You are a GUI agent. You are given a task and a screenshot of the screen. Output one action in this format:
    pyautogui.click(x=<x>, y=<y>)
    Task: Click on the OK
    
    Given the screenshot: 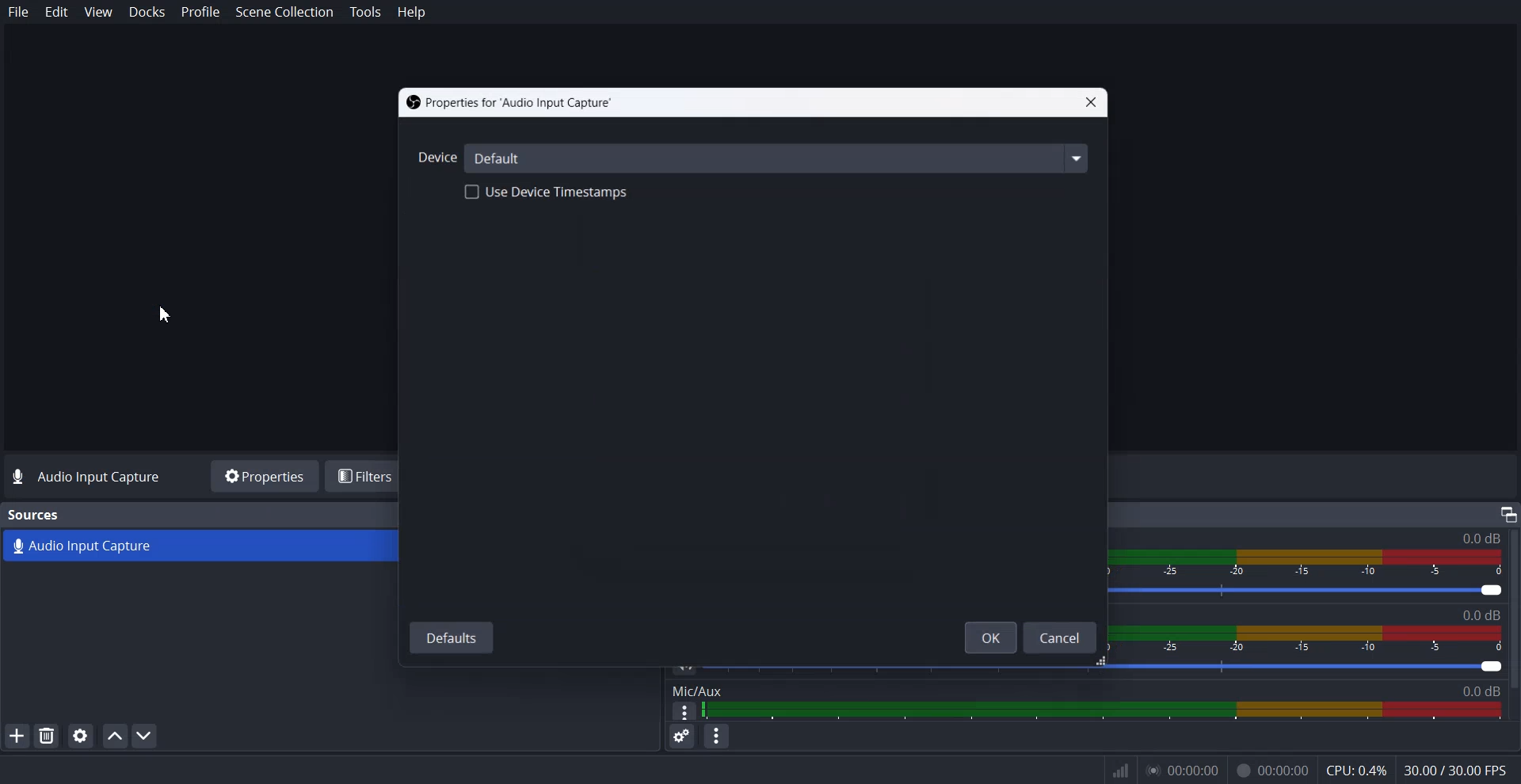 What is the action you would take?
    pyautogui.click(x=989, y=637)
    